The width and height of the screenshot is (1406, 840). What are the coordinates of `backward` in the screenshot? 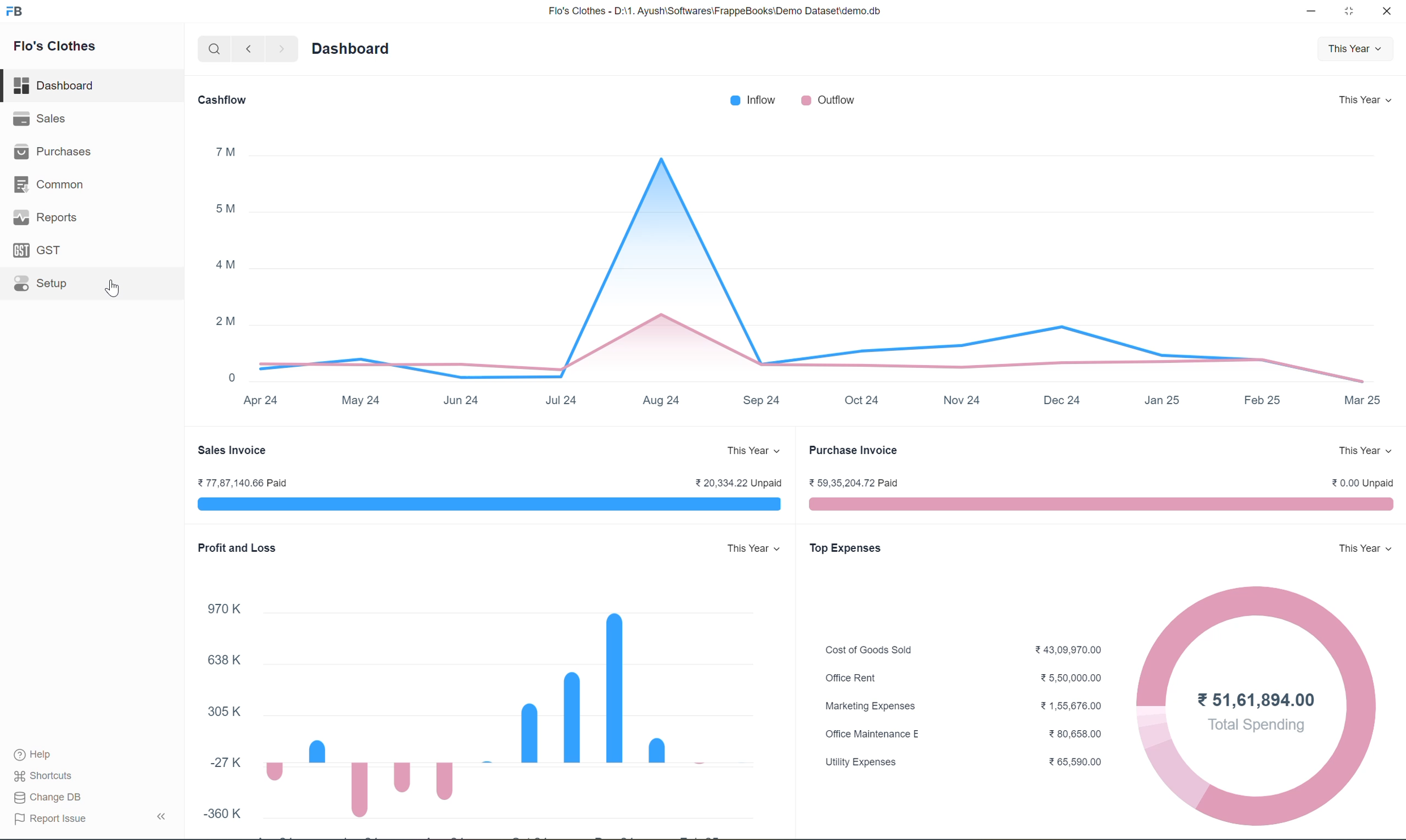 It's located at (250, 49).